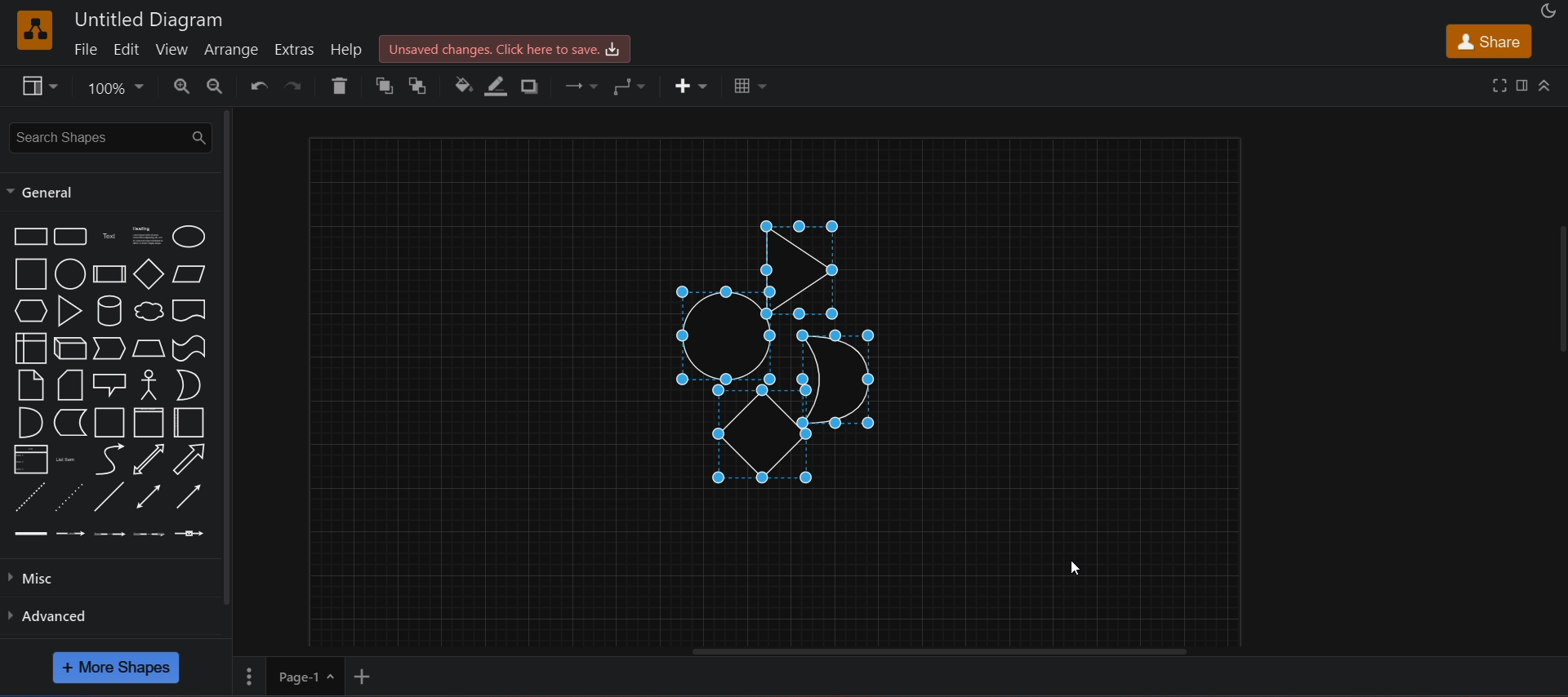  I want to click on unsaved changes. click here to save, so click(502, 48).